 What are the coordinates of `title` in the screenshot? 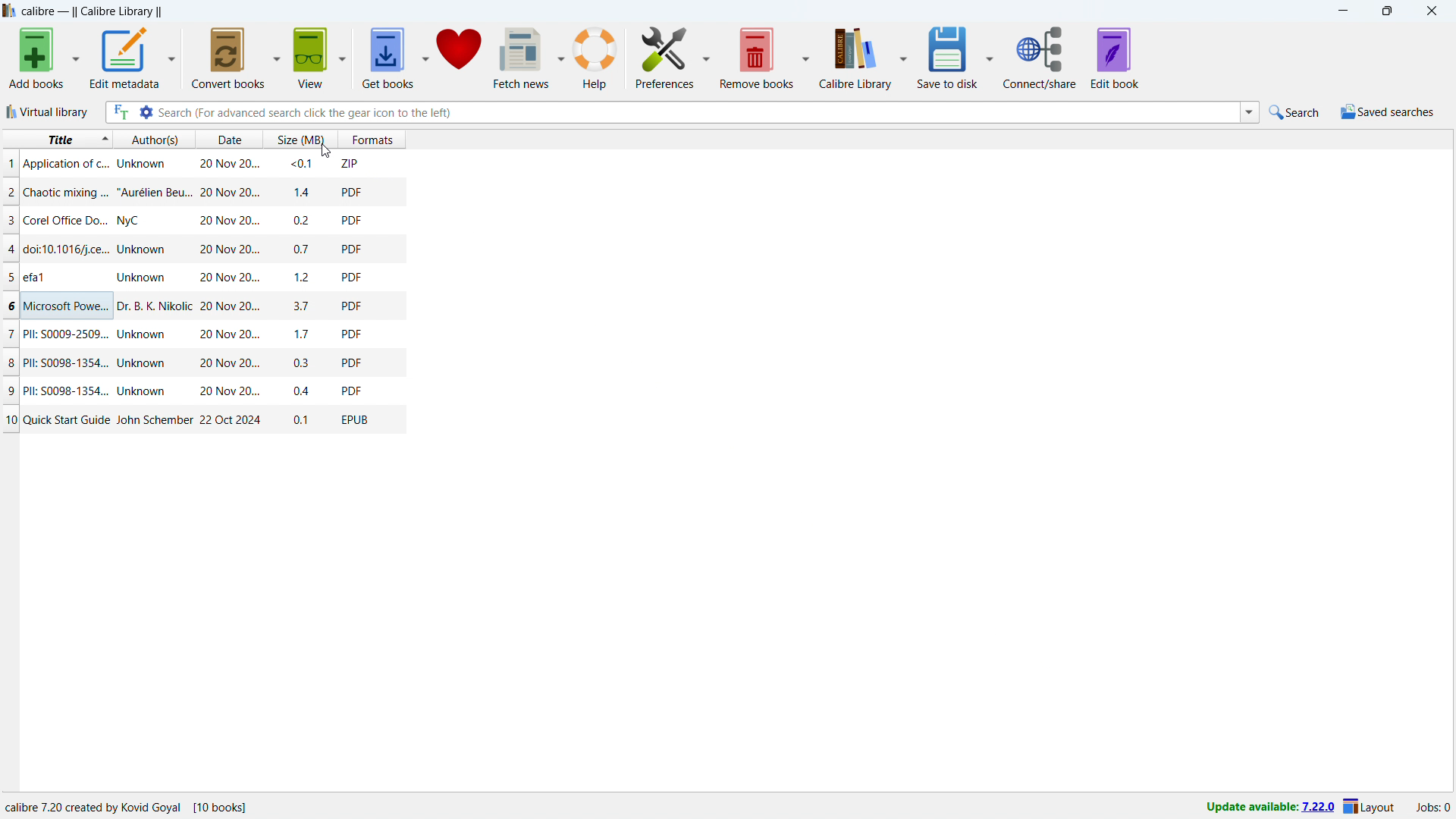 It's located at (67, 193).